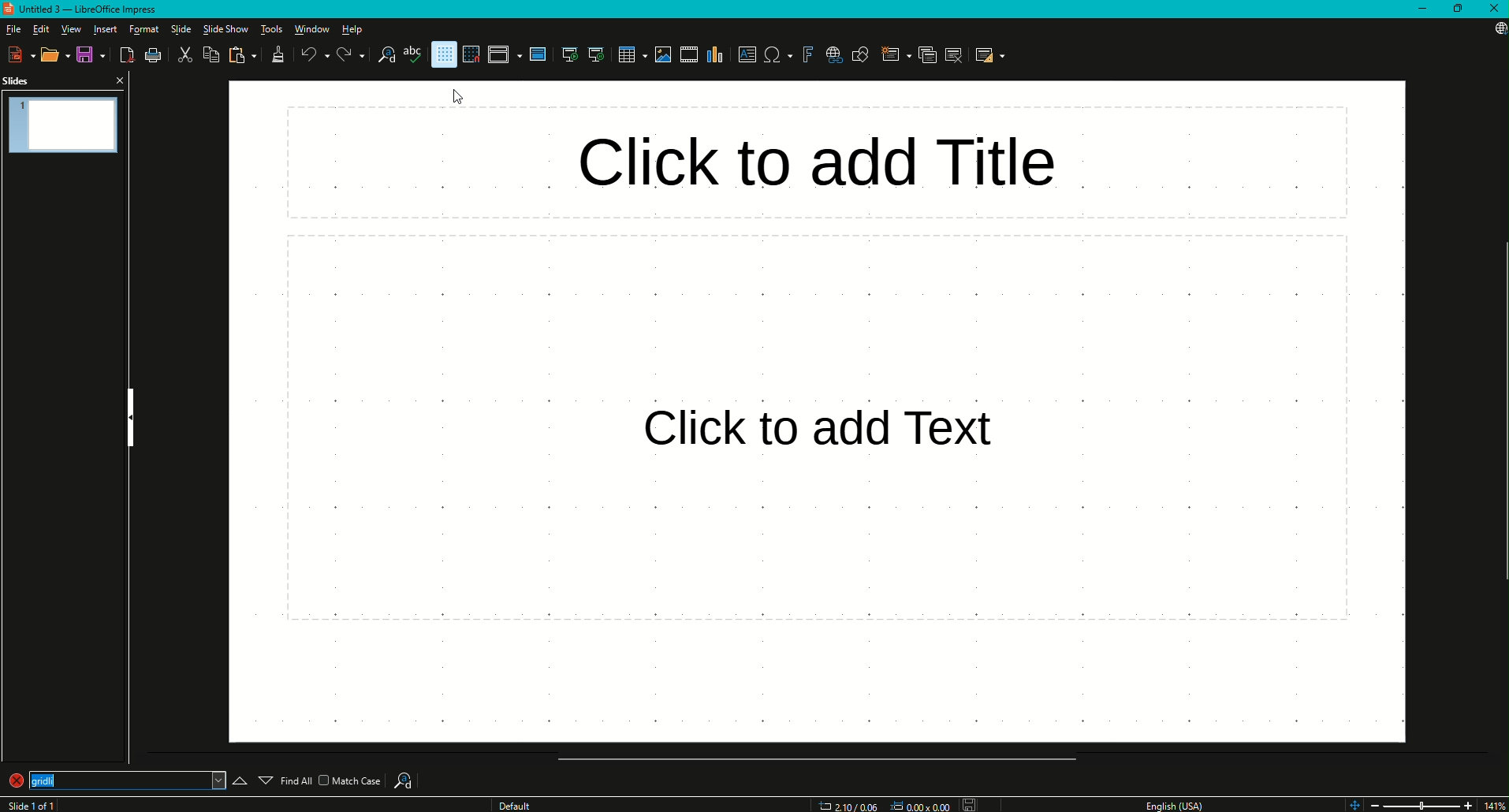 The width and height of the screenshot is (1509, 812). What do you see at coordinates (596, 54) in the screenshot?
I see `Start from current slide` at bounding box center [596, 54].